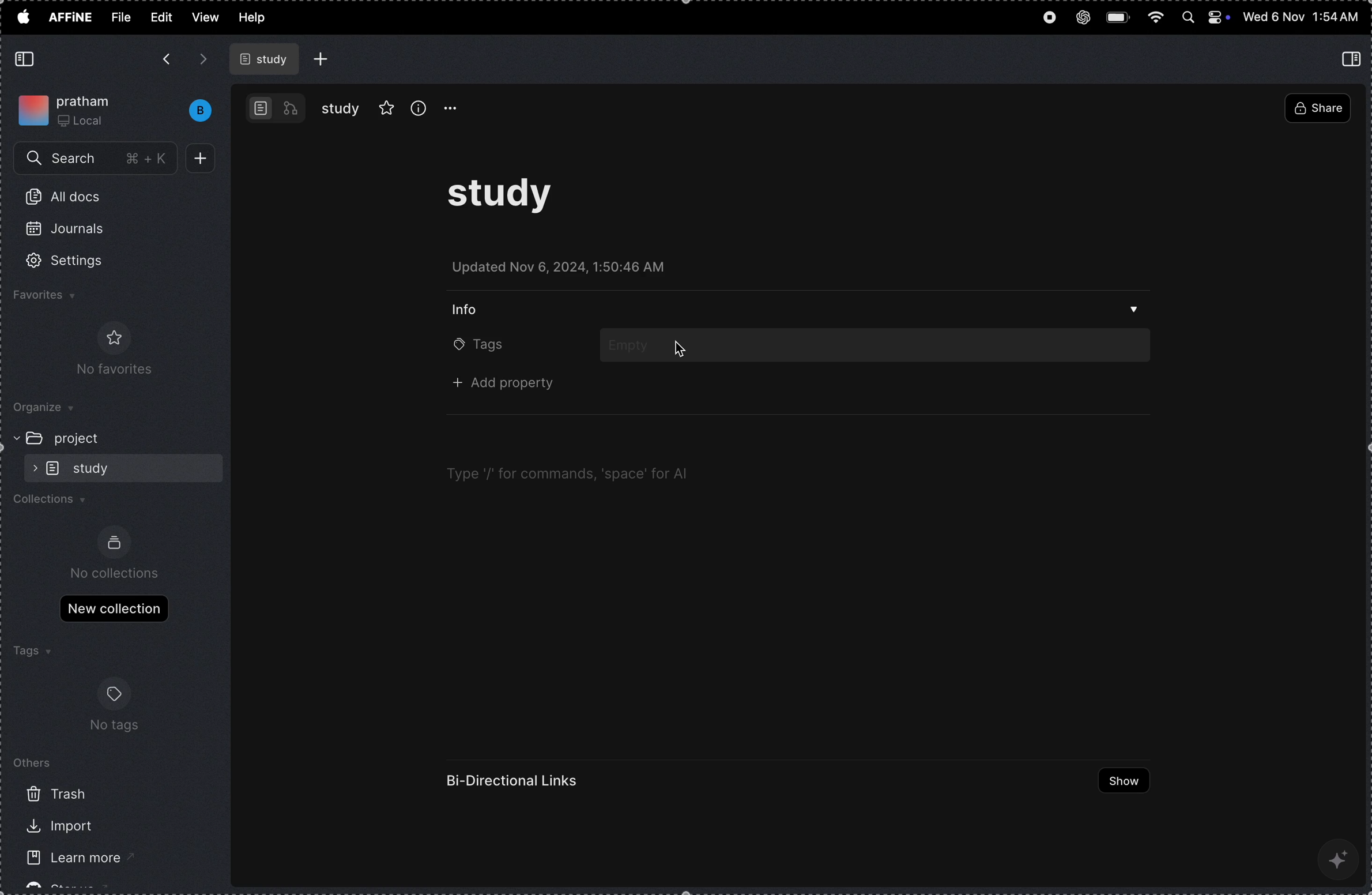 The image size is (1372, 895). Describe the element at coordinates (1048, 19) in the screenshot. I see `record` at that location.